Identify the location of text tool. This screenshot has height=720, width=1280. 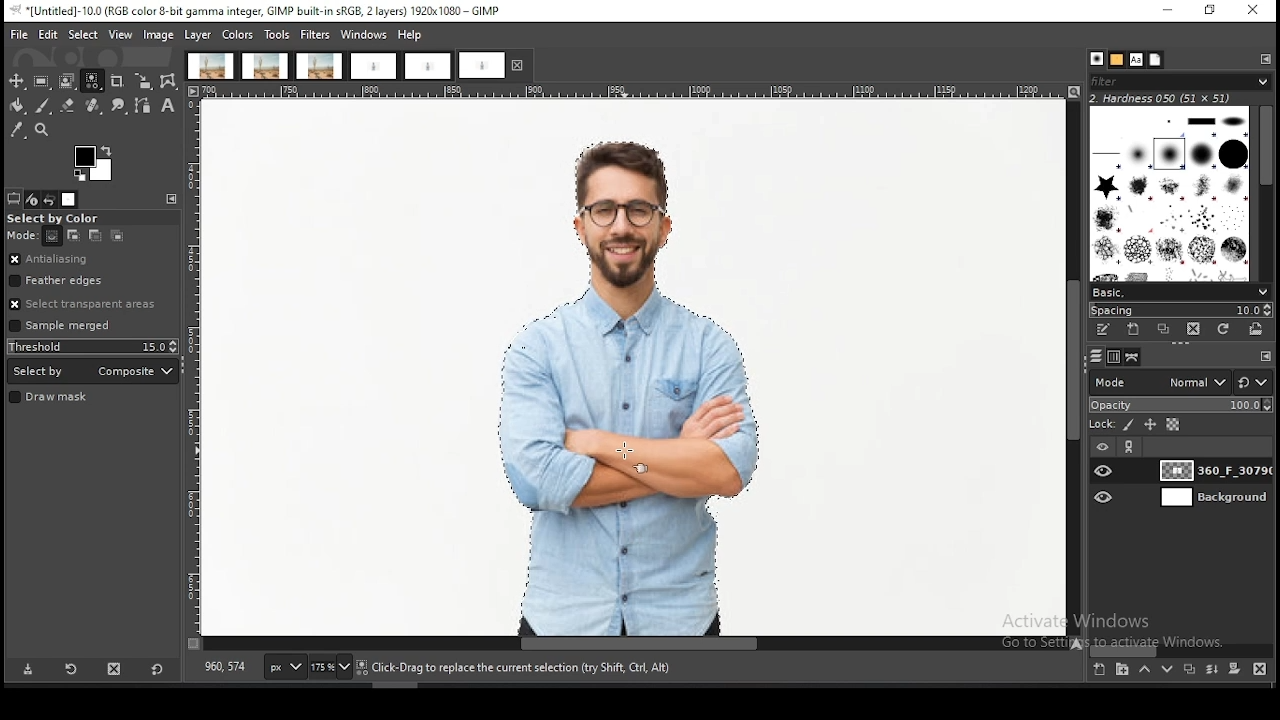
(168, 106).